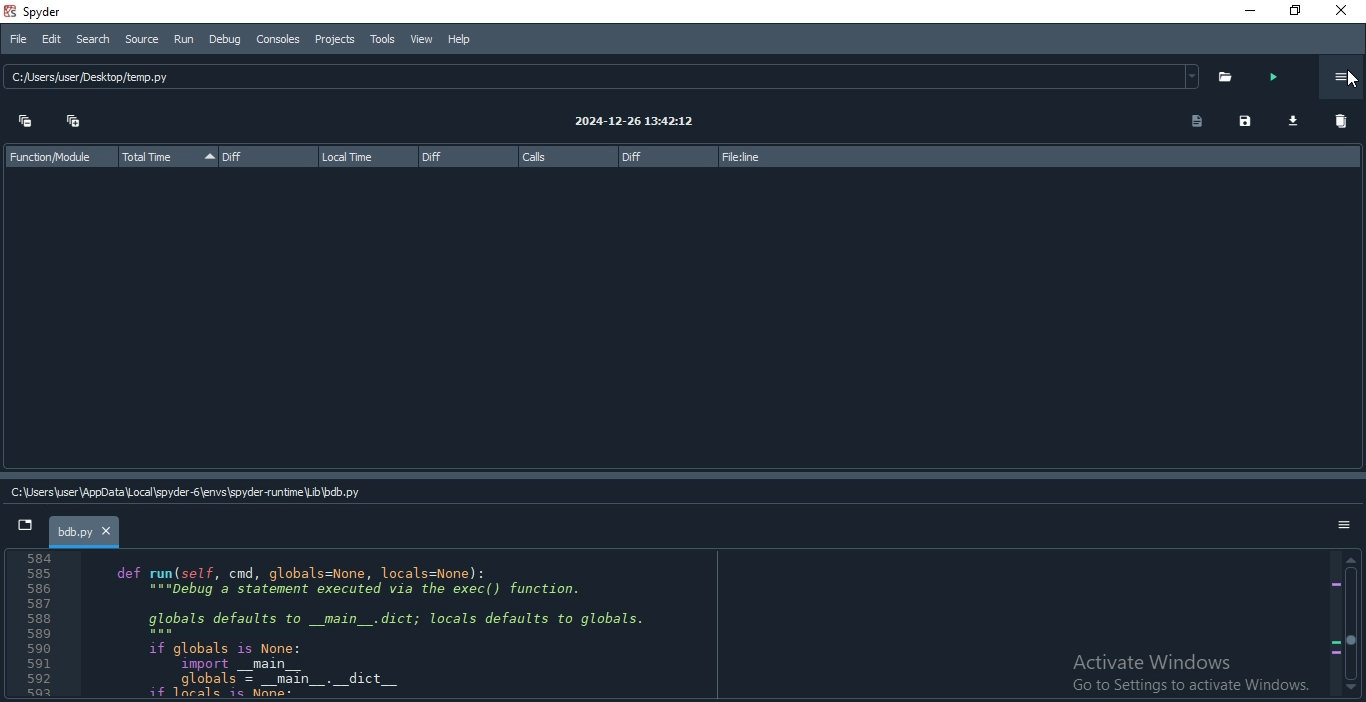  What do you see at coordinates (268, 156) in the screenshot?
I see `Diff` at bounding box center [268, 156].